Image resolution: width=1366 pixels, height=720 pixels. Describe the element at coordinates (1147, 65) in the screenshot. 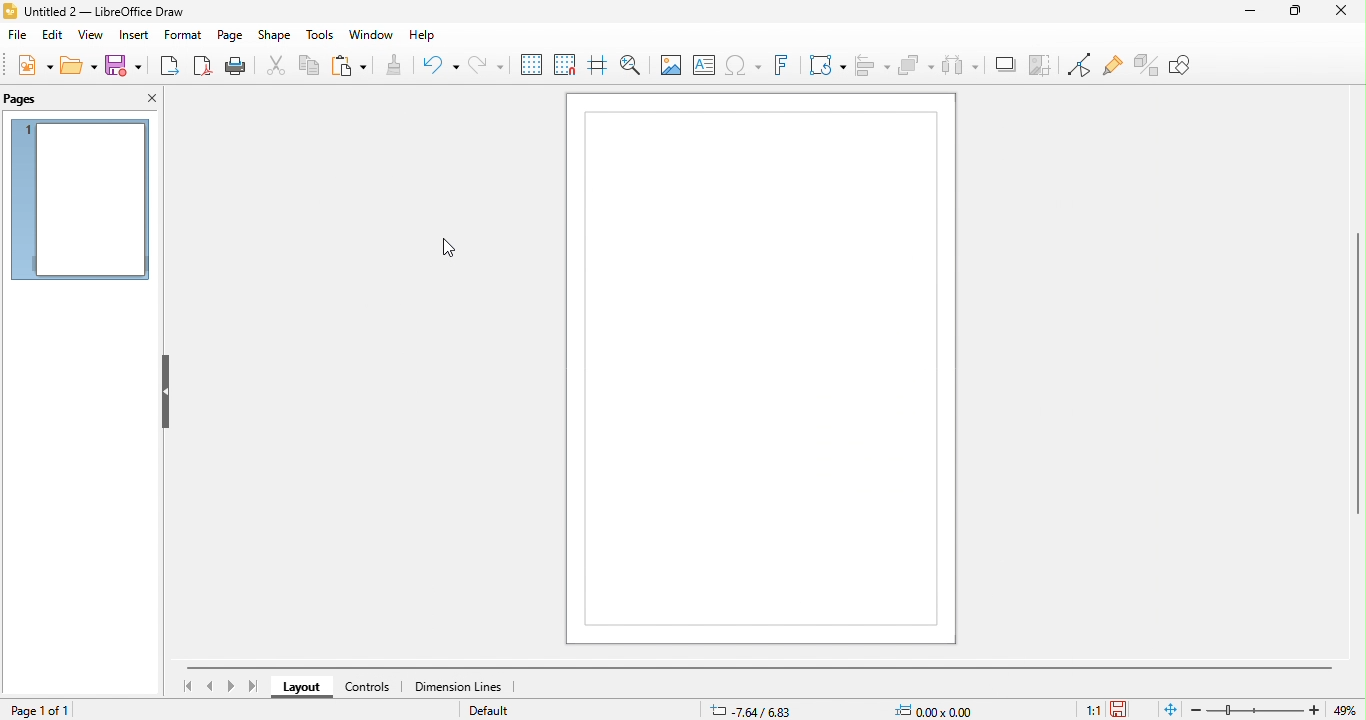

I see `toggle extrusions` at that location.